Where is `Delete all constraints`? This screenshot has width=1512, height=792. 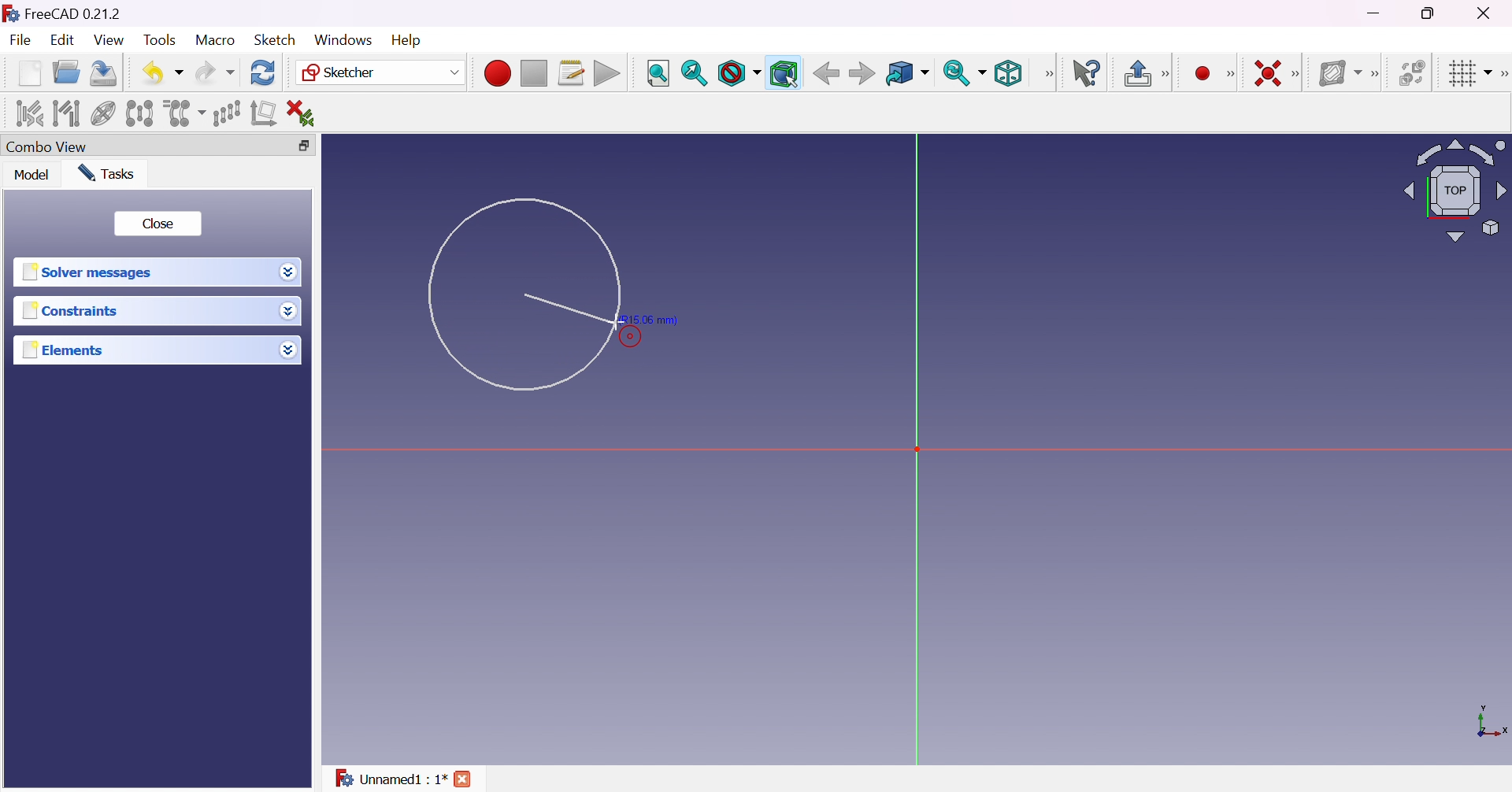 Delete all constraints is located at coordinates (306, 113).